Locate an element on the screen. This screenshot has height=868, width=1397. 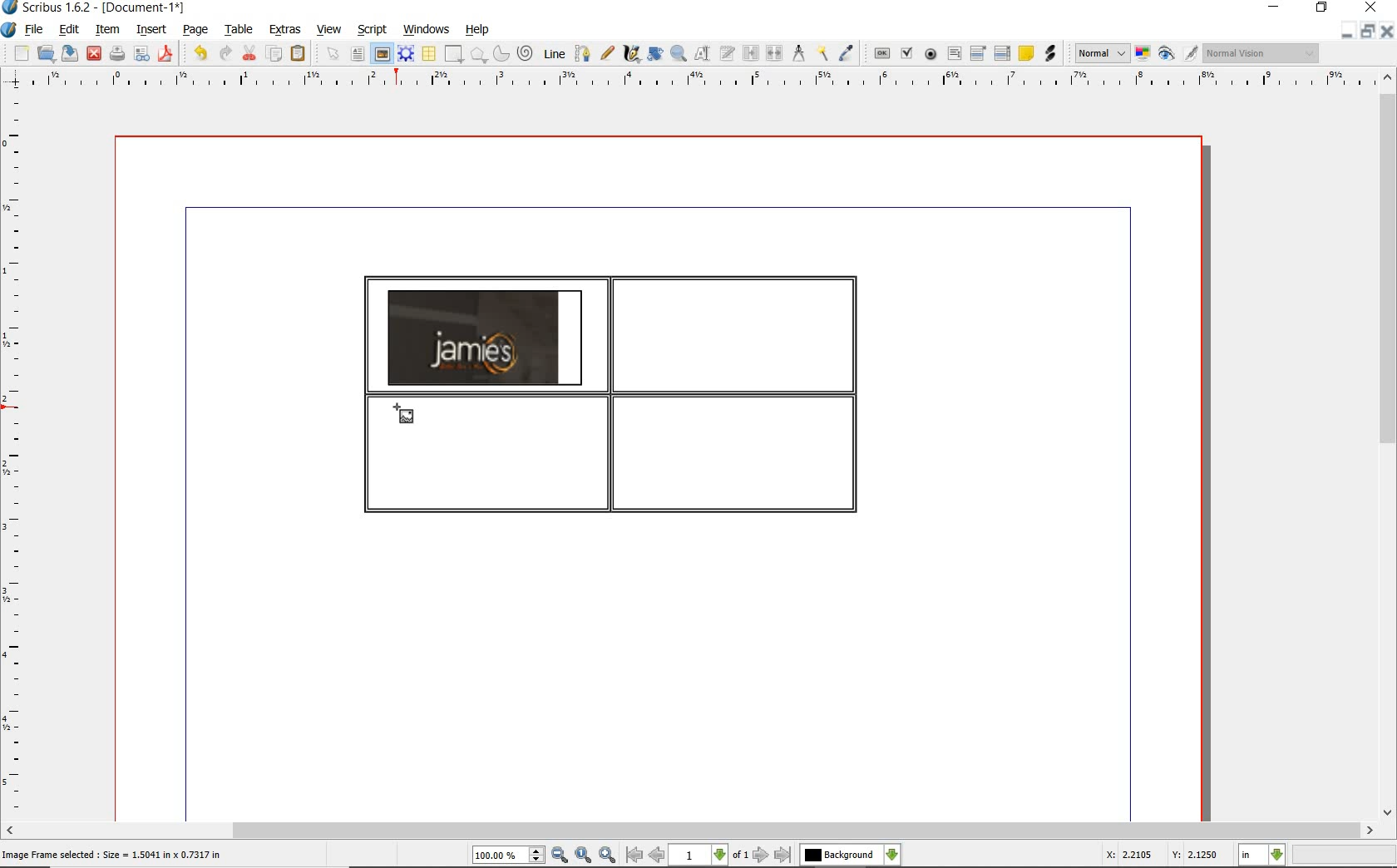
print is located at coordinates (116, 53).